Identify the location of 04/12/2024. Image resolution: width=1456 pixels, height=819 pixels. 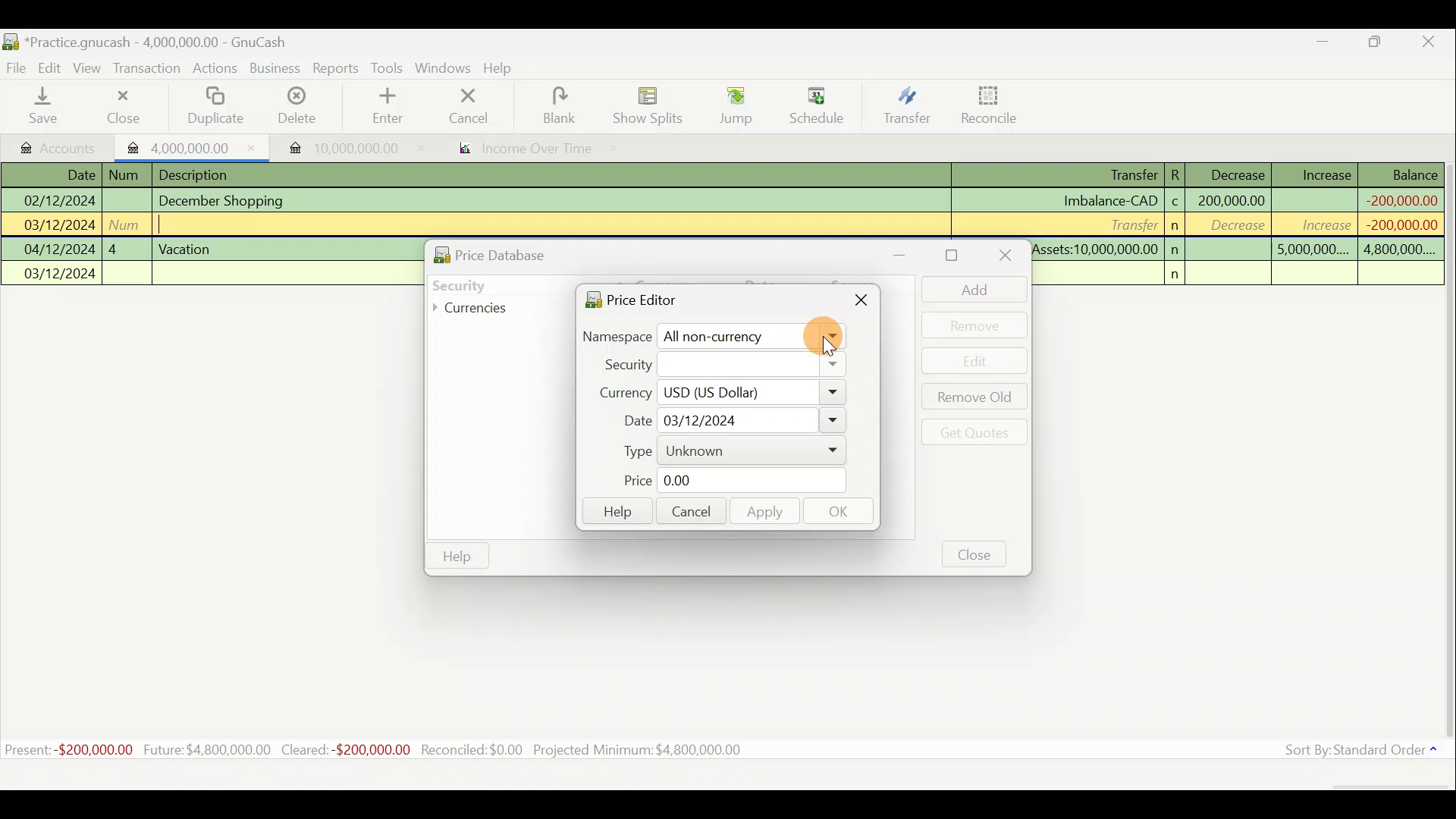
(60, 249).